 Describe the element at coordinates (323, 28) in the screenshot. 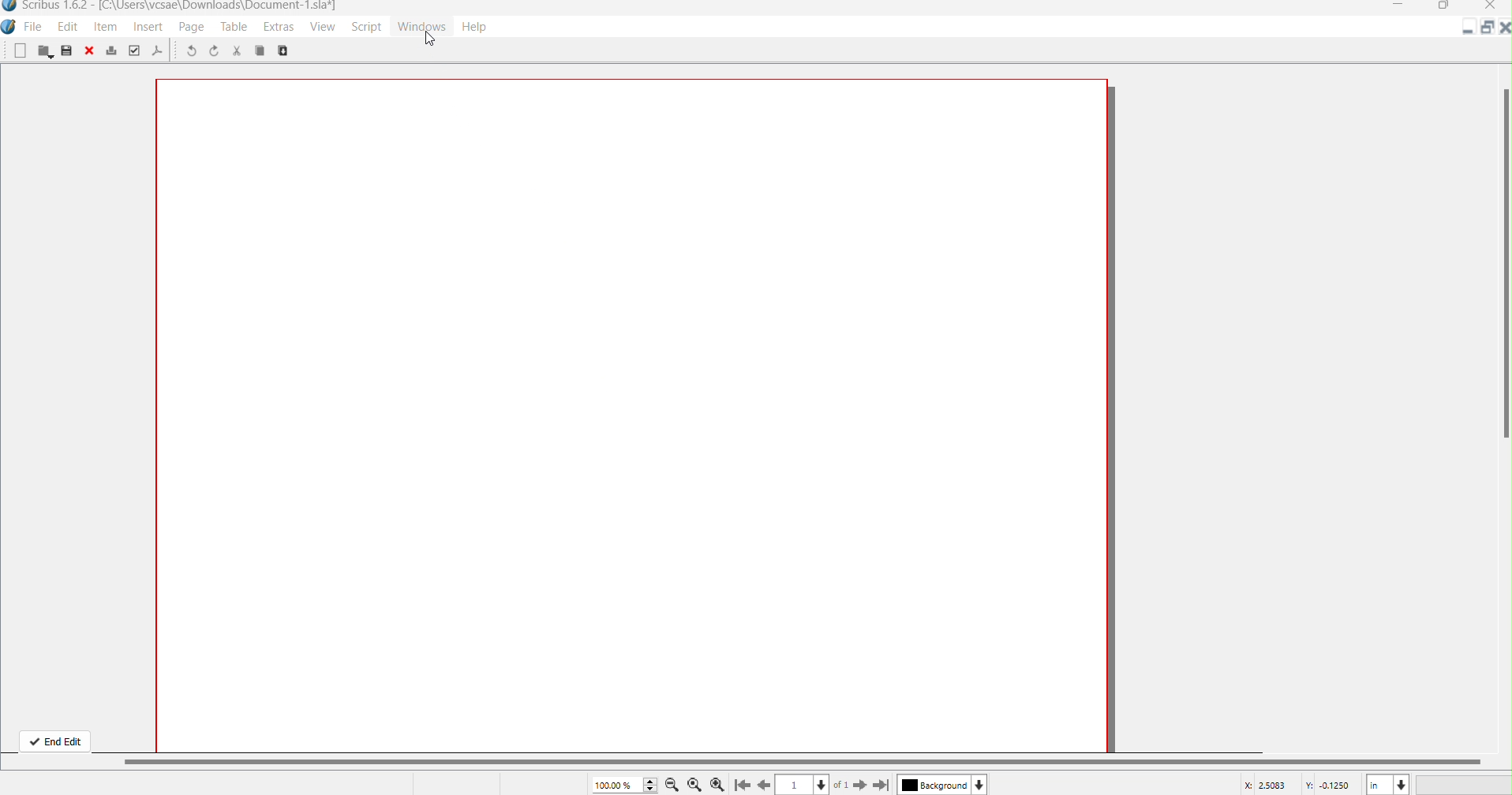

I see `` at that location.